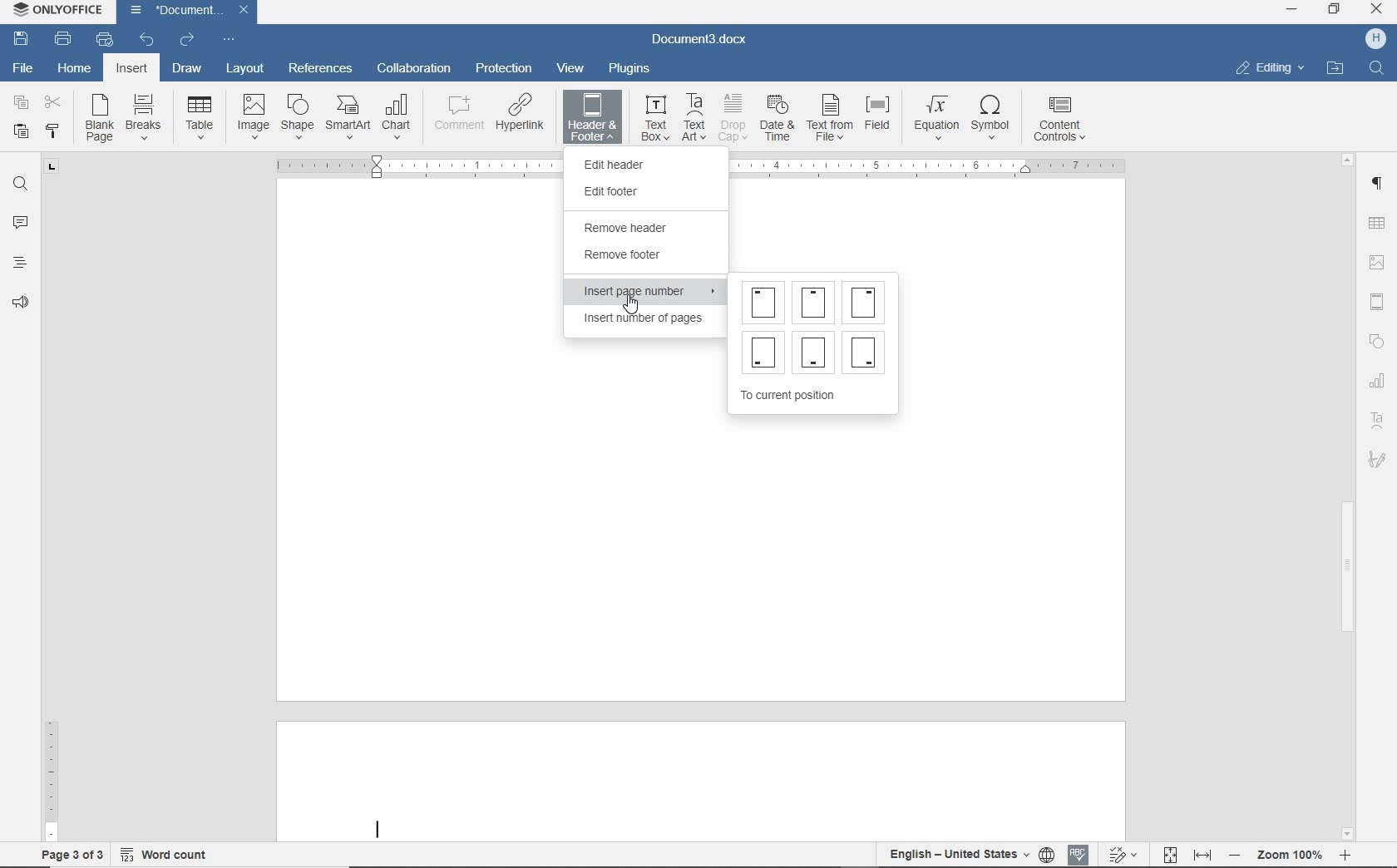 Image resolution: width=1397 pixels, height=868 pixels. What do you see at coordinates (133, 71) in the screenshot?
I see `INSERT` at bounding box center [133, 71].